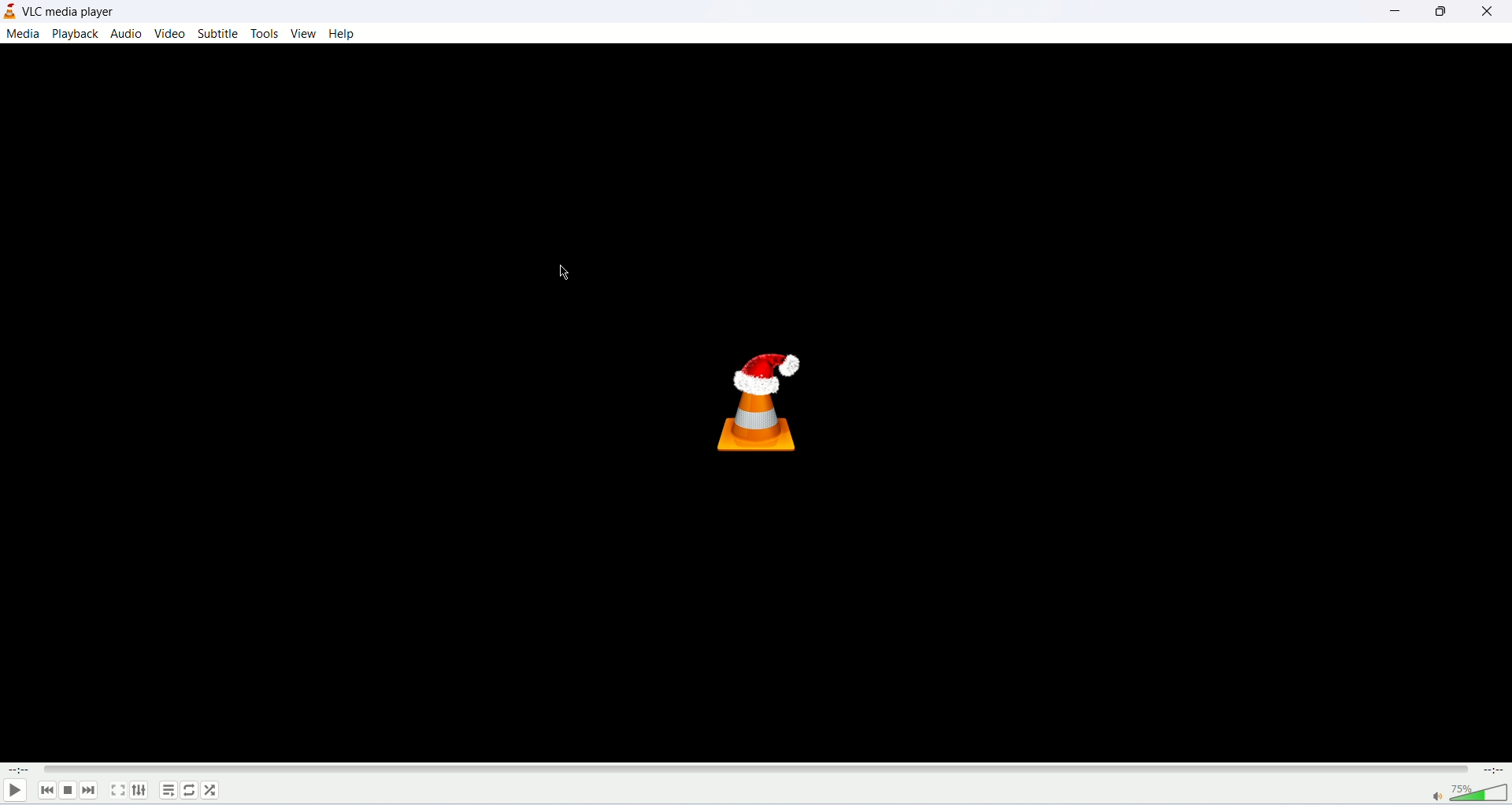 Image resolution: width=1512 pixels, height=805 pixels. Describe the element at coordinates (127, 35) in the screenshot. I see `audio` at that location.